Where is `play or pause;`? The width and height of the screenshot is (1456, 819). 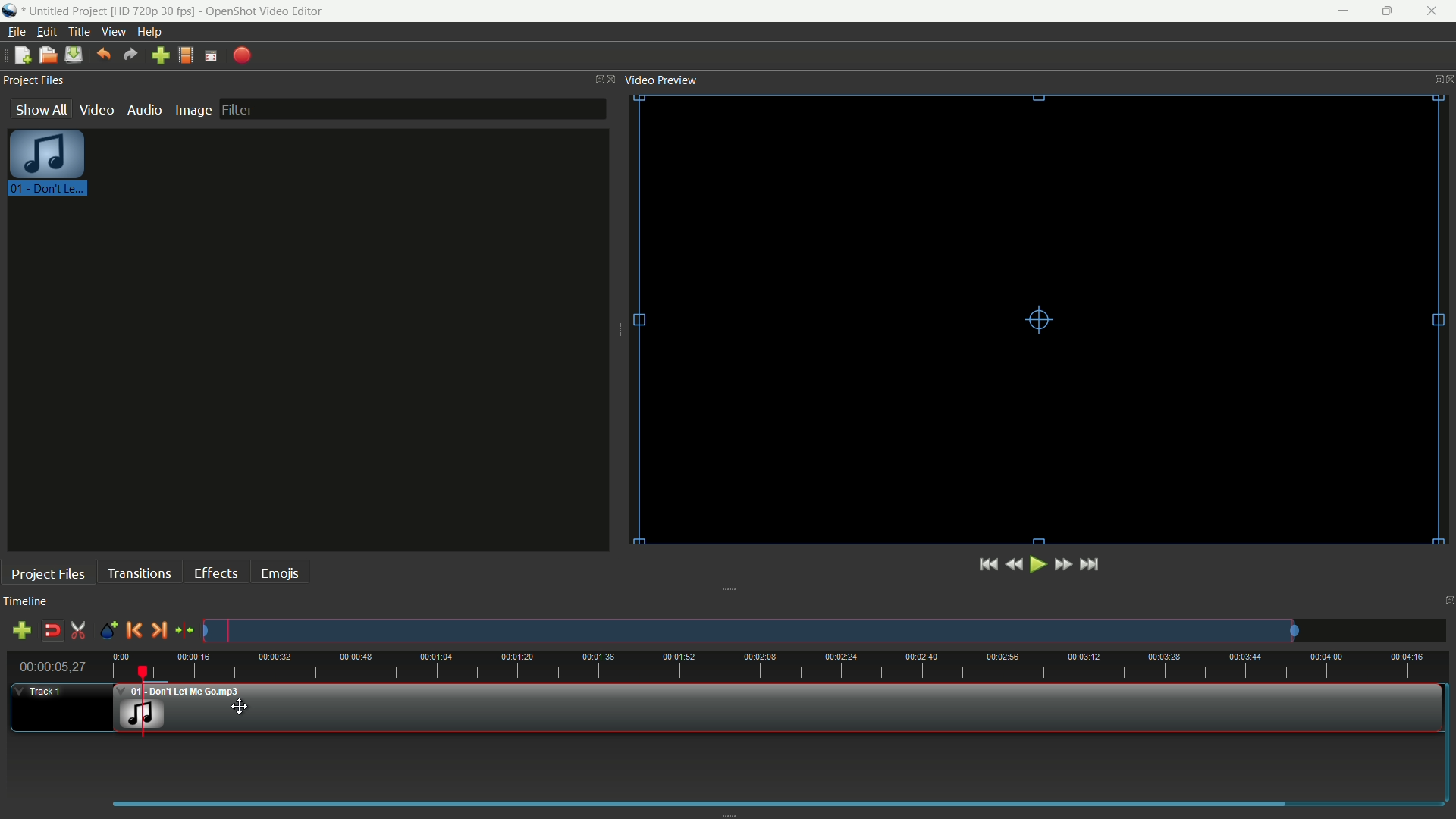
play or pause; is located at coordinates (1040, 565).